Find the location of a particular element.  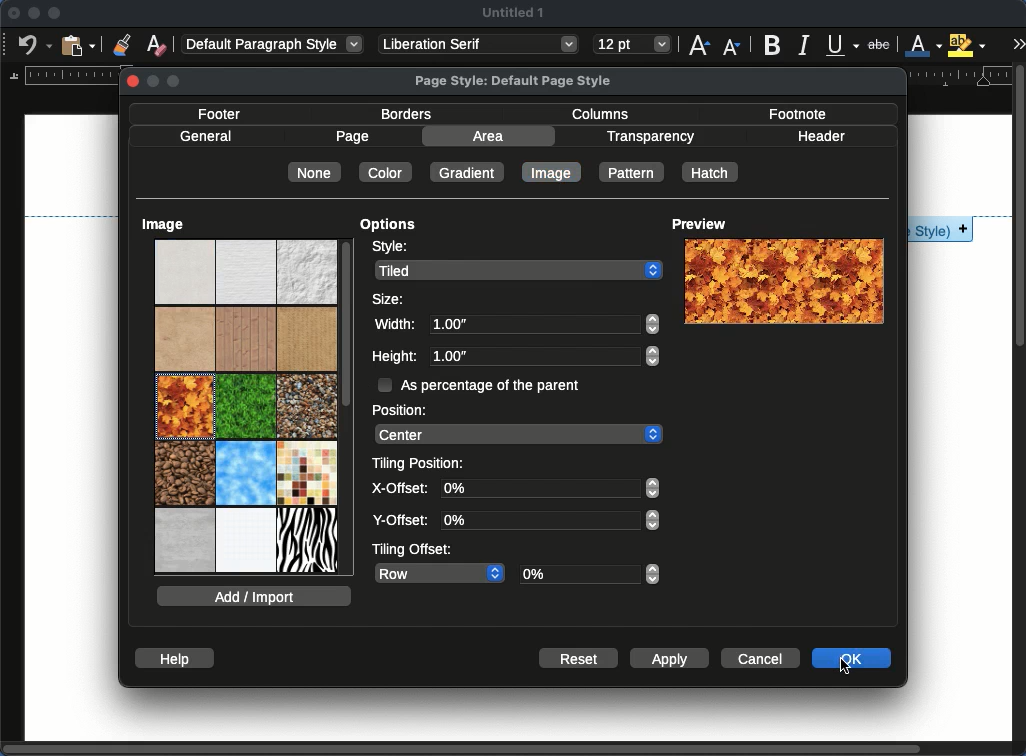

pattern is located at coordinates (632, 171).